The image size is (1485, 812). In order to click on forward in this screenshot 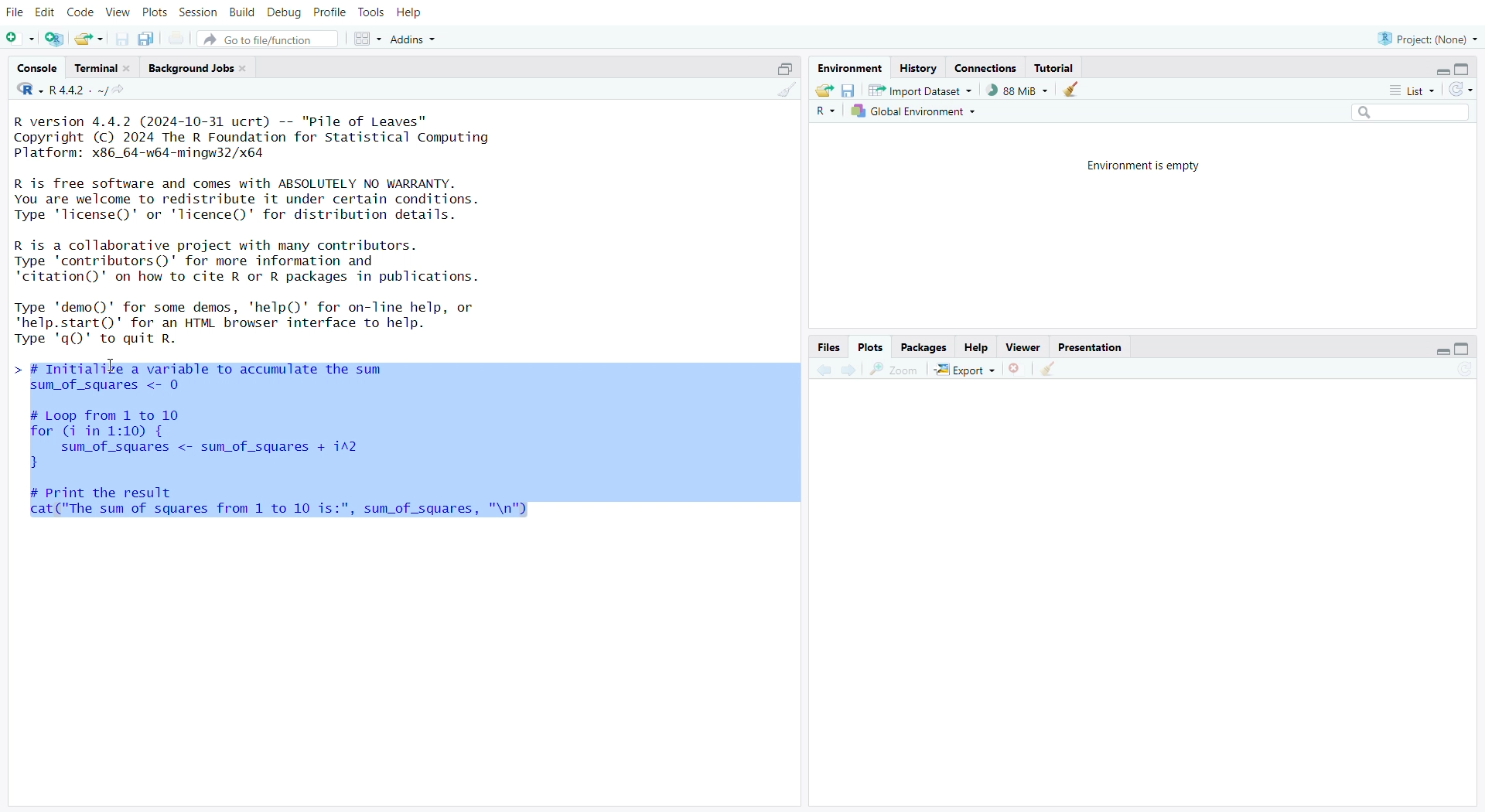, I will do `click(850, 371)`.